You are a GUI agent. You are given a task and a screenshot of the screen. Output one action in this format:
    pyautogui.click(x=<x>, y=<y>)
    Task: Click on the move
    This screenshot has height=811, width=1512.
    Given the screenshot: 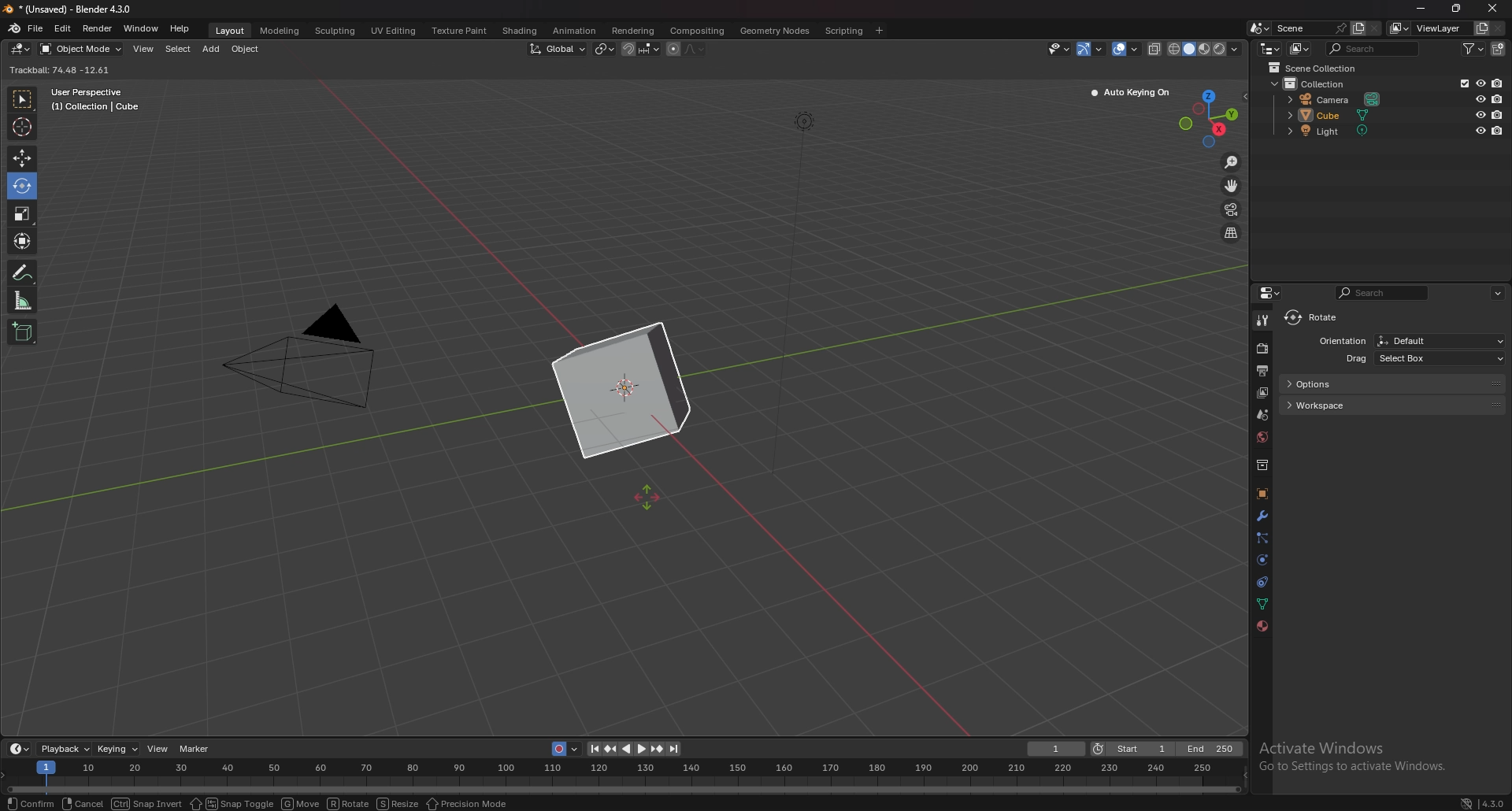 What is the action you would take?
    pyautogui.click(x=21, y=159)
    